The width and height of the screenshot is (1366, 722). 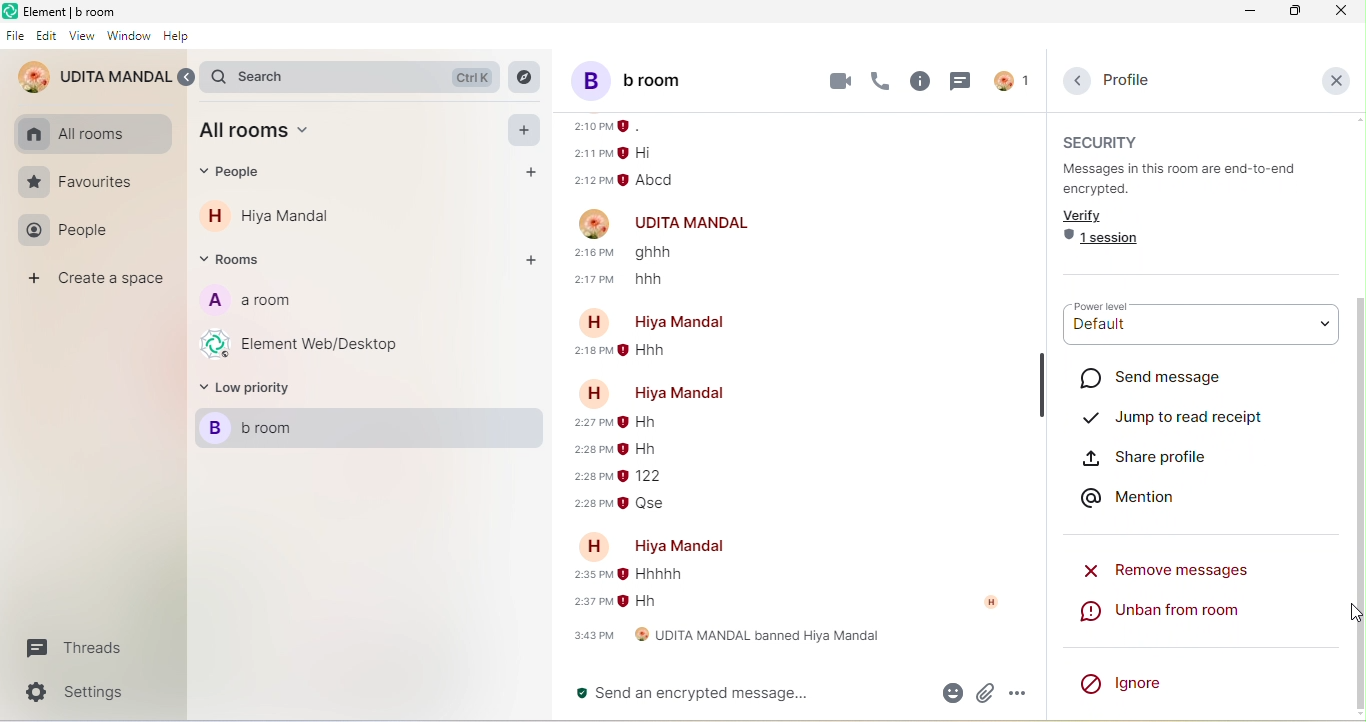 What do you see at coordinates (238, 260) in the screenshot?
I see `rooms` at bounding box center [238, 260].